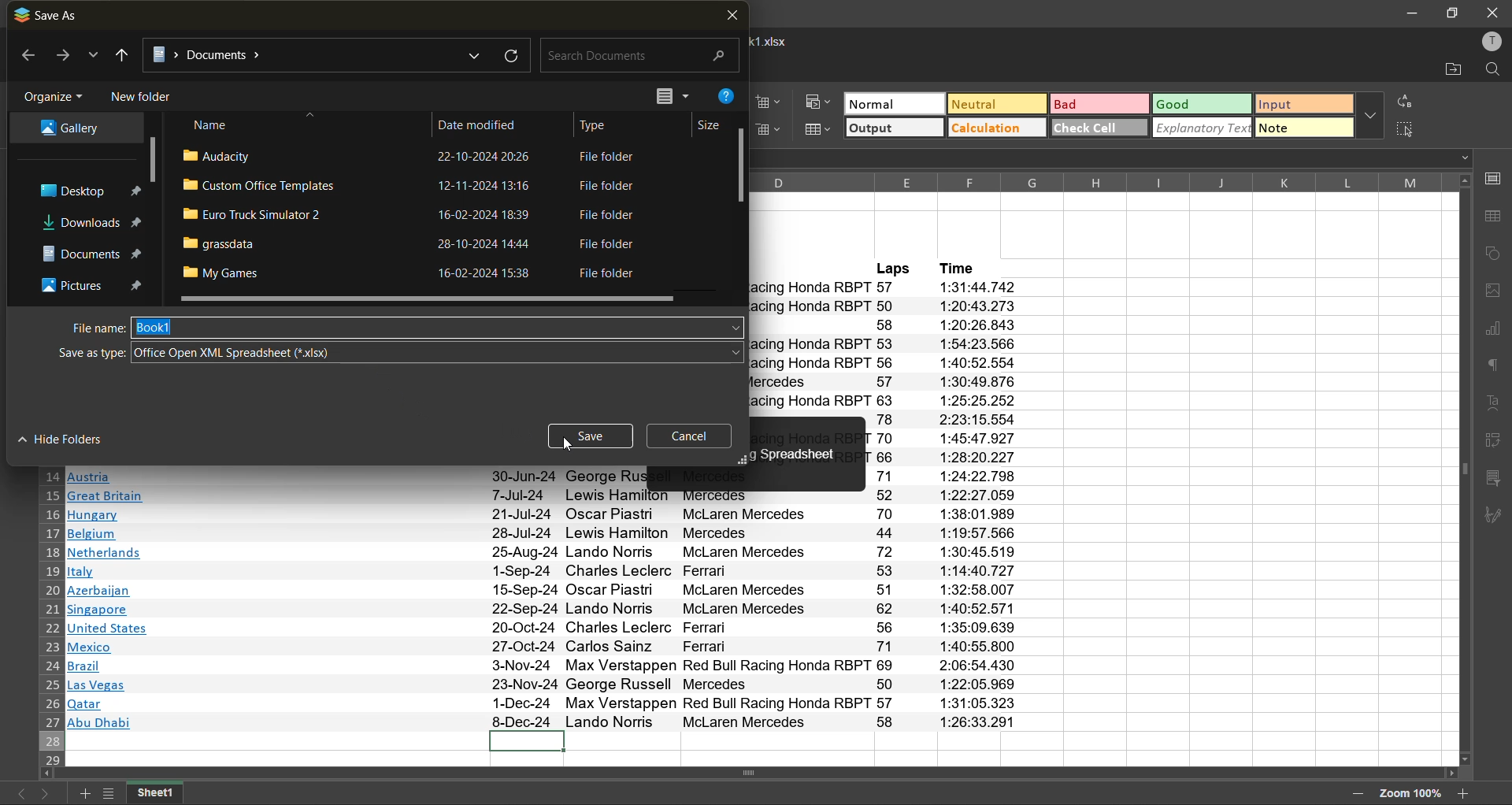 This screenshot has height=805, width=1512. What do you see at coordinates (261, 184) in the screenshot?
I see `| Custom Office Templates.` at bounding box center [261, 184].